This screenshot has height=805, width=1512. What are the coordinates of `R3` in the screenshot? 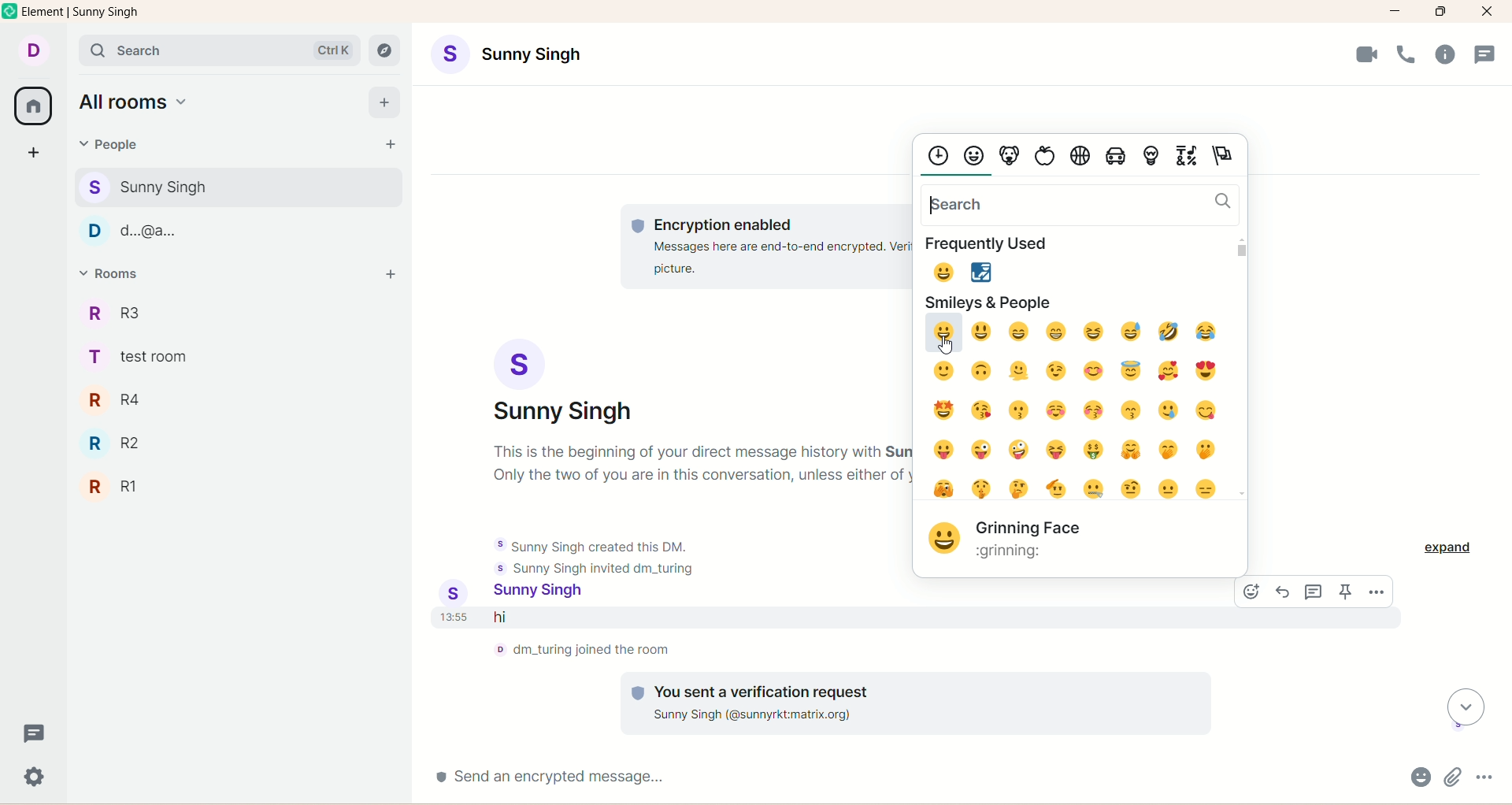 It's located at (127, 312).